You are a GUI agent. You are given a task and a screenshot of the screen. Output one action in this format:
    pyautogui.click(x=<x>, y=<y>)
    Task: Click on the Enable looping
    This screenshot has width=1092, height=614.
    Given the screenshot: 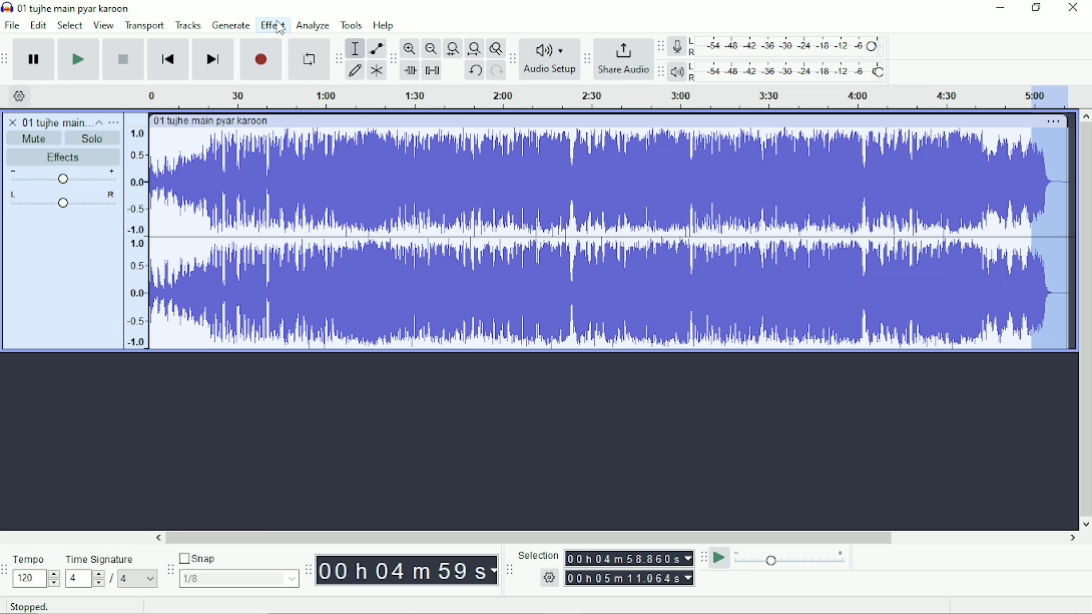 What is the action you would take?
    pyautogui.click(x=309, y=60)
    